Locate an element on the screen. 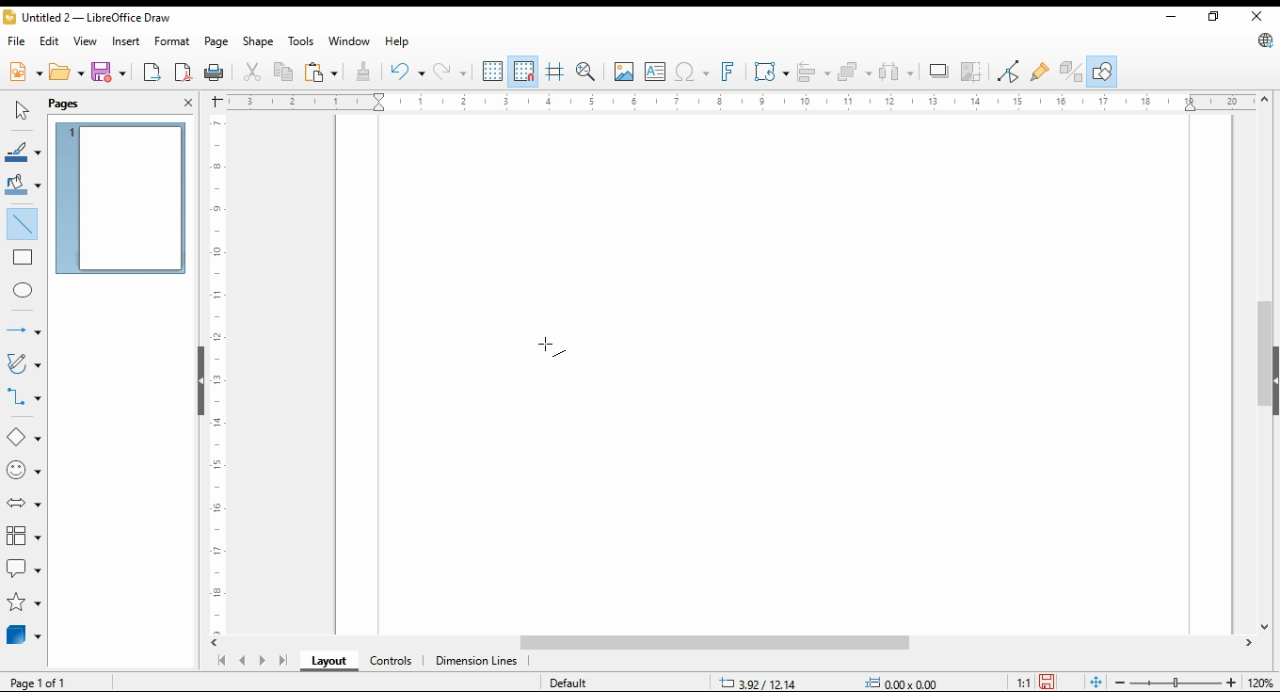 The height and width of the screenshot is (692, 1280). pages is located at coordinates (70, 102).